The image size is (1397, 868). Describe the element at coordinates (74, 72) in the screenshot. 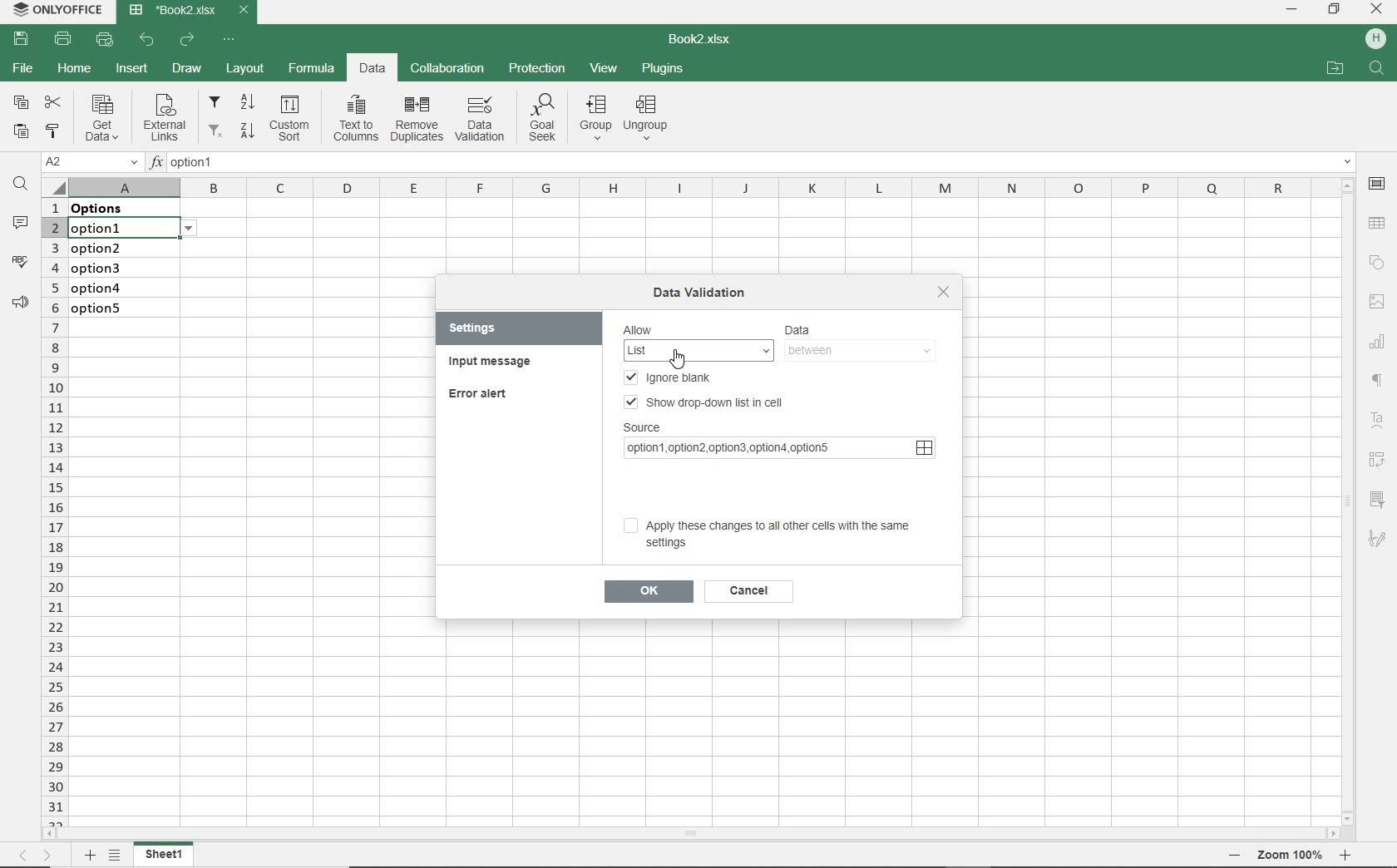

I see `HOME` at that location.